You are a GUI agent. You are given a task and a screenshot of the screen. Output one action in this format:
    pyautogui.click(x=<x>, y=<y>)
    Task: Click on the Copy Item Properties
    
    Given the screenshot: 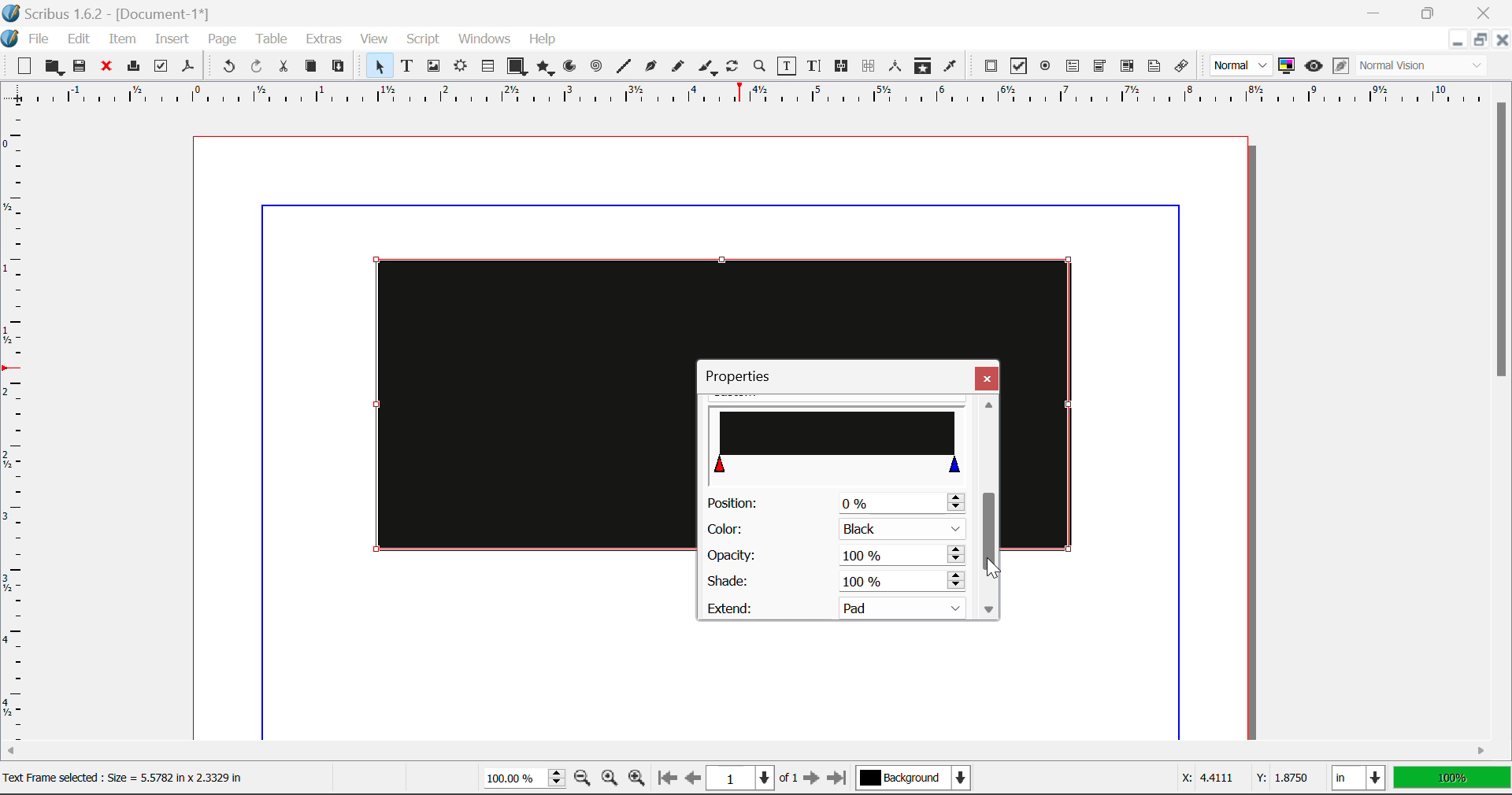 What is the action you would take?
    pyautogui.click(x=922, y=68)
    